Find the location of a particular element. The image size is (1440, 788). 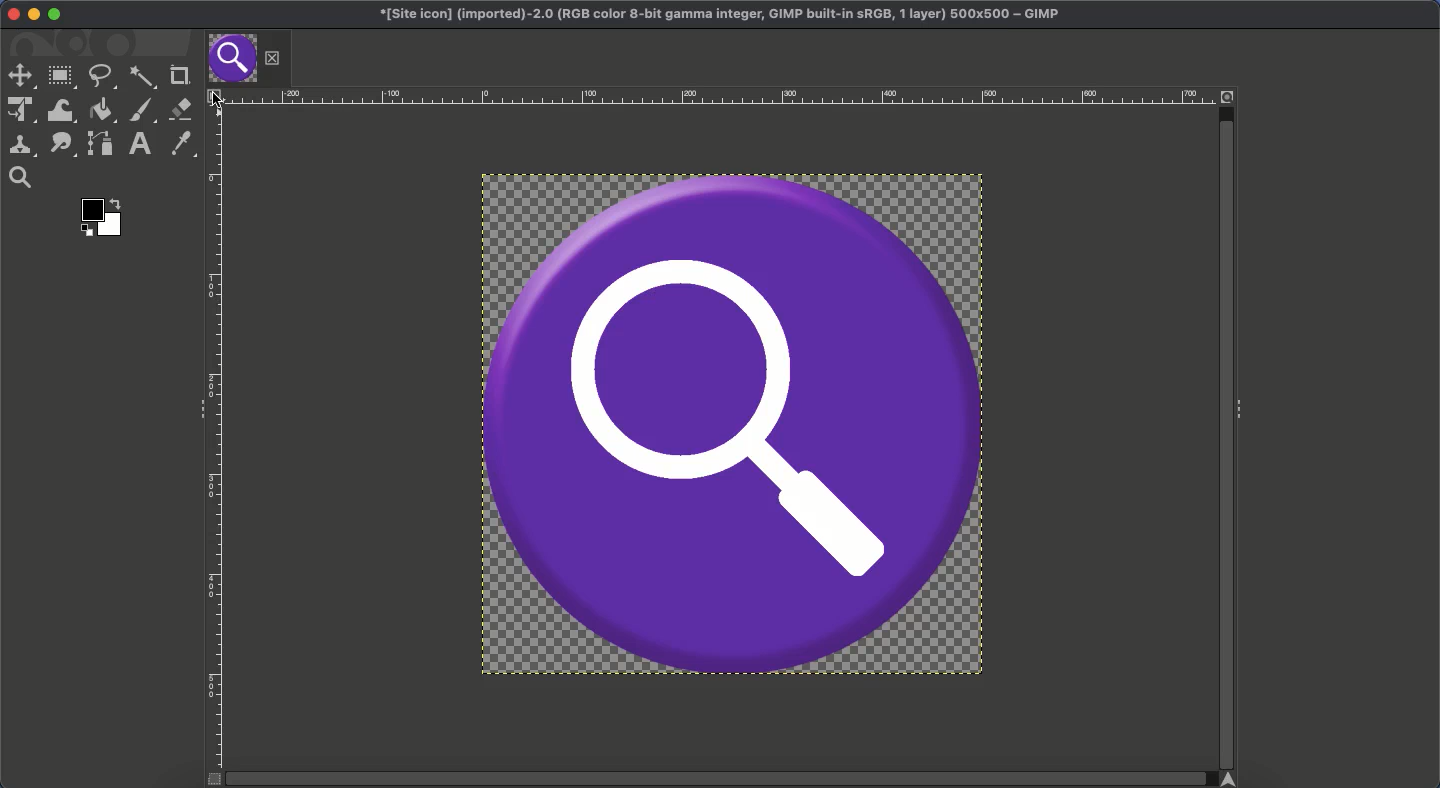

Fuzzy selection tool is located at coordinates (143, 79).